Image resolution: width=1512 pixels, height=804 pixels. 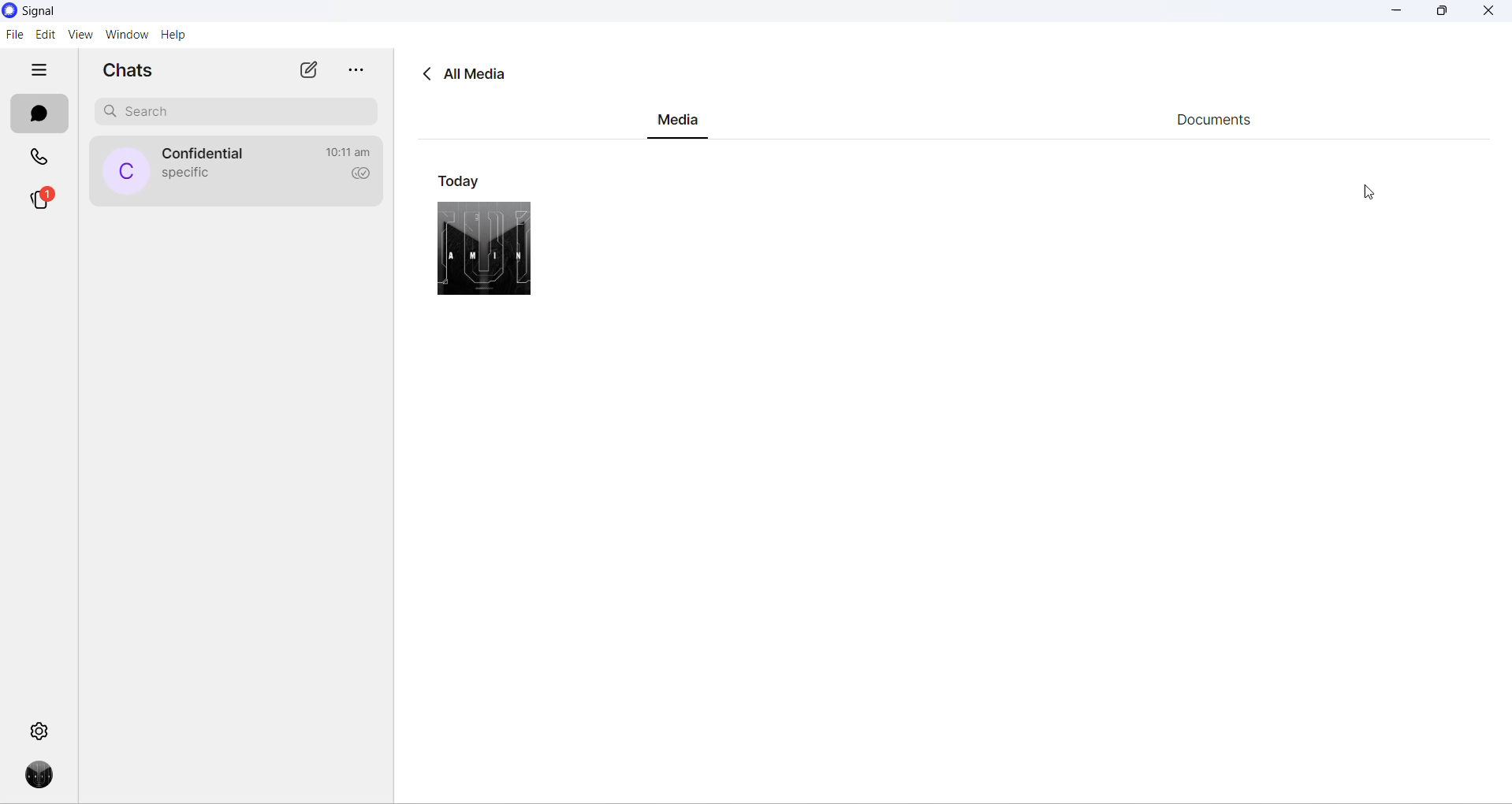 I want to click on documents, so click(x=1221, y=121).